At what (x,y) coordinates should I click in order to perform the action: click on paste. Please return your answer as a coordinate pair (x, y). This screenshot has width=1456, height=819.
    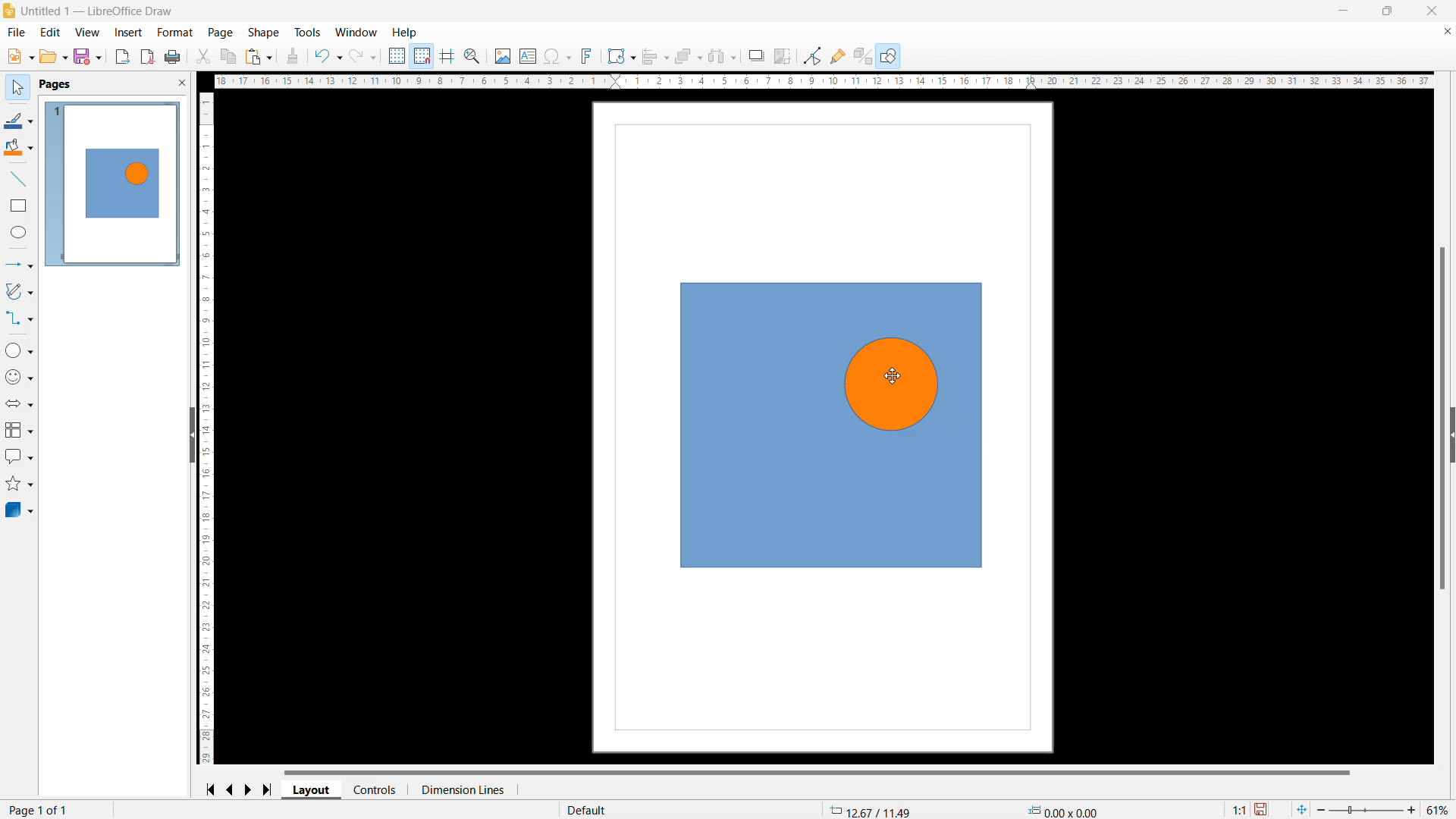
    Looking at the image, I should click on (259, 56).